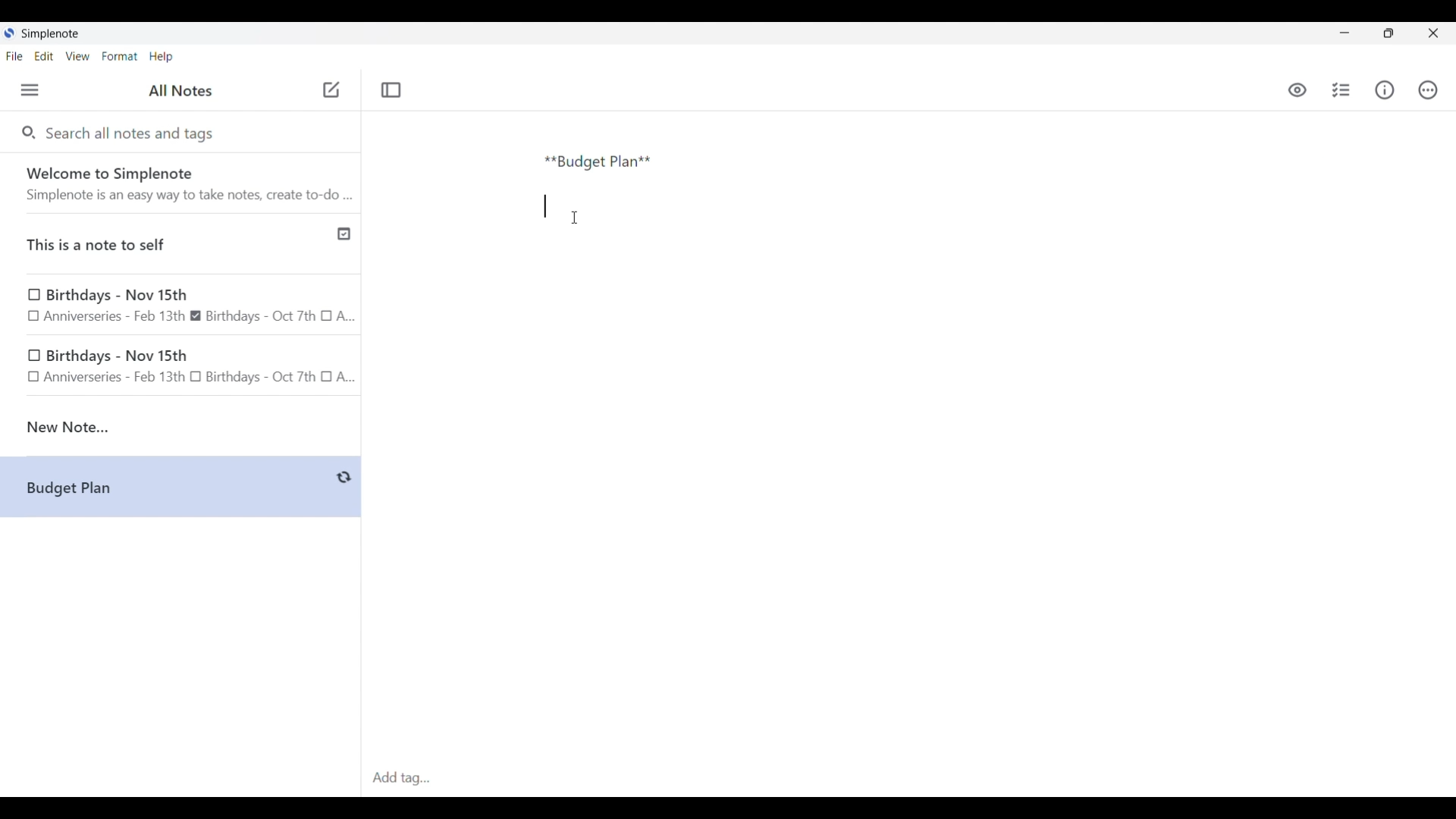  I want to click on Title of left side panel, so click(180, 91).